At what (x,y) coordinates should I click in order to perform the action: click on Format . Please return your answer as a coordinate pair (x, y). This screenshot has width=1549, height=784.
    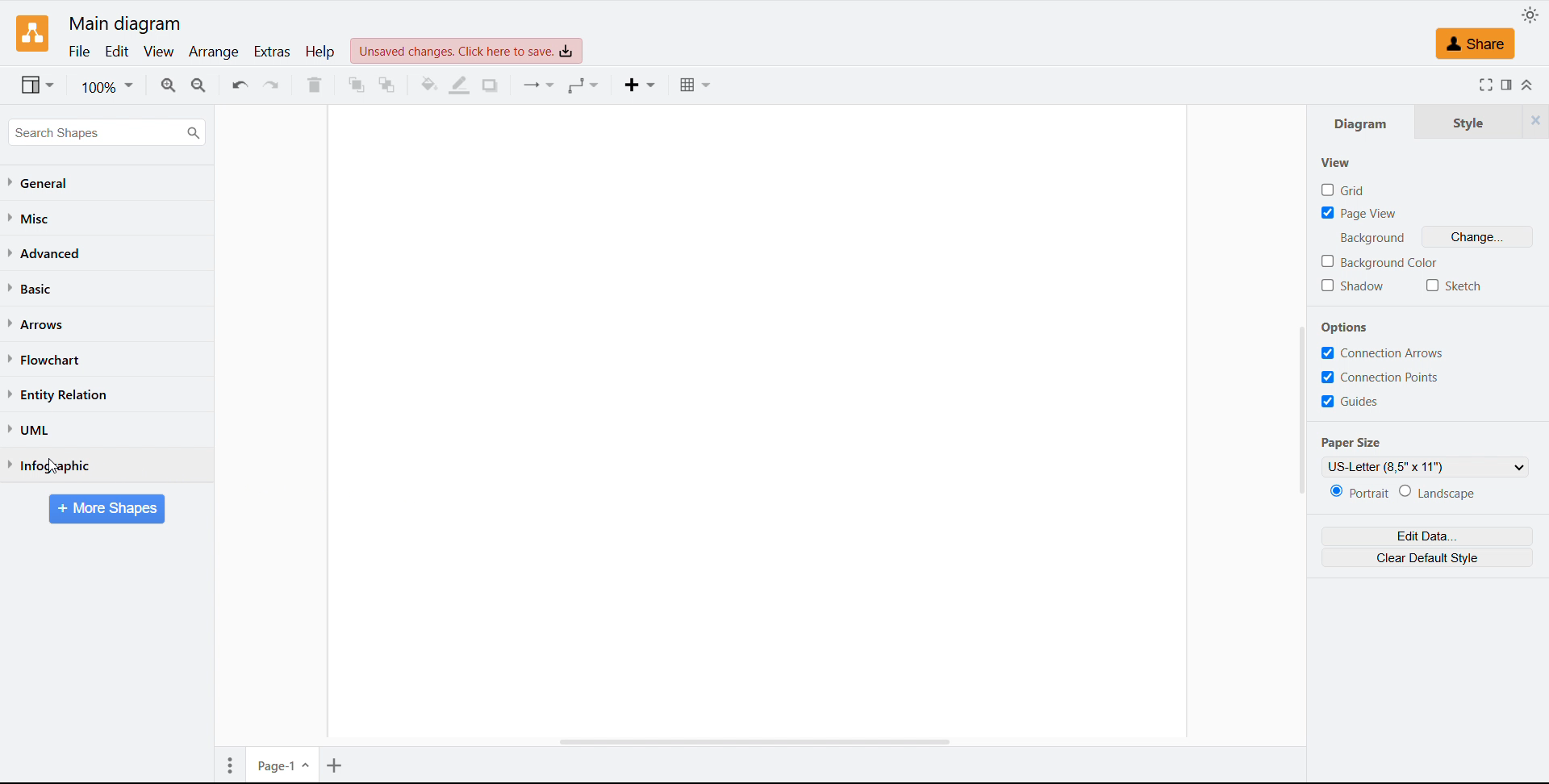
    Looking at the image, I should click on (1509, 85).